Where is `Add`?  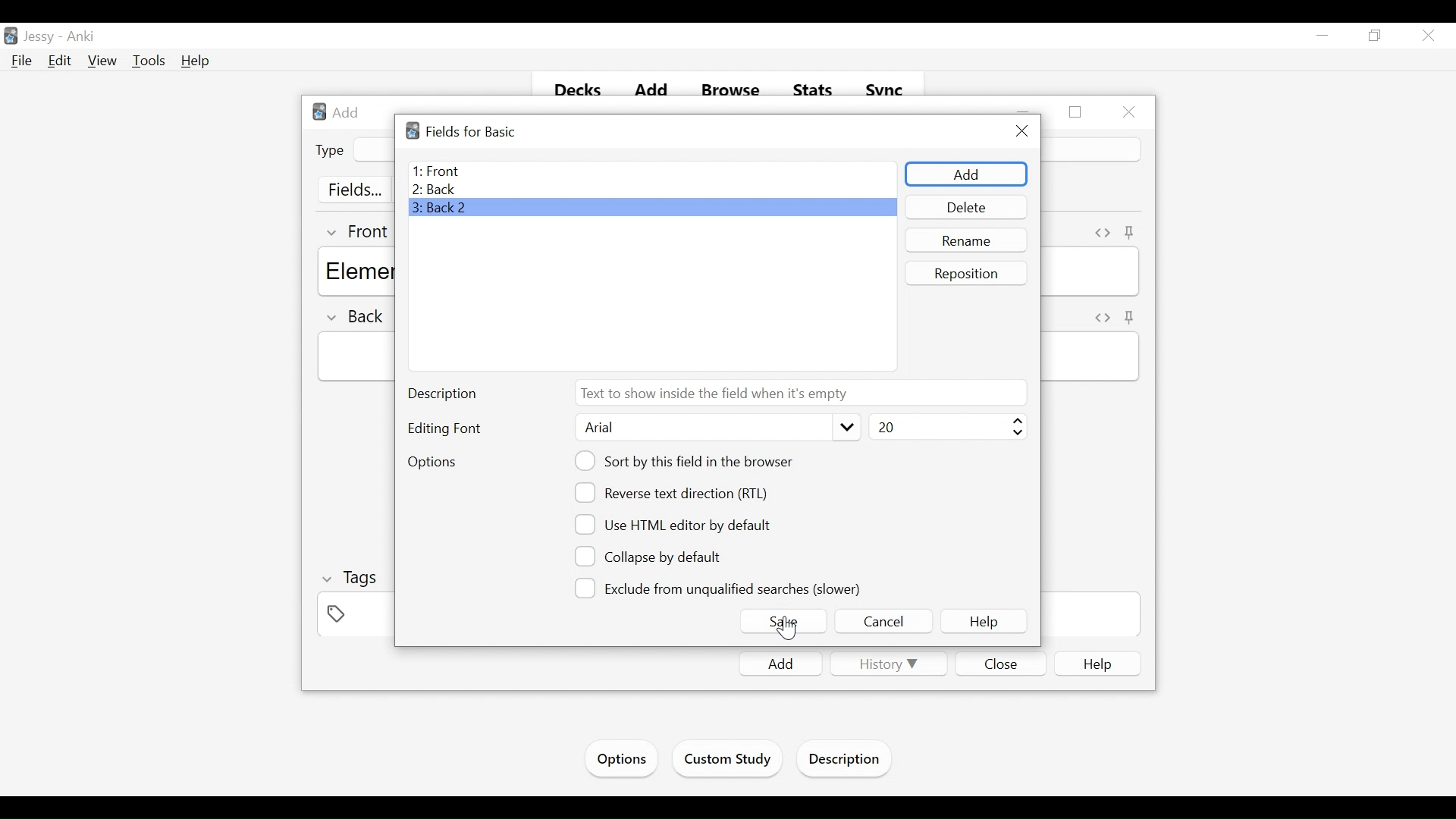 Add is located at coordinates (654, 91).